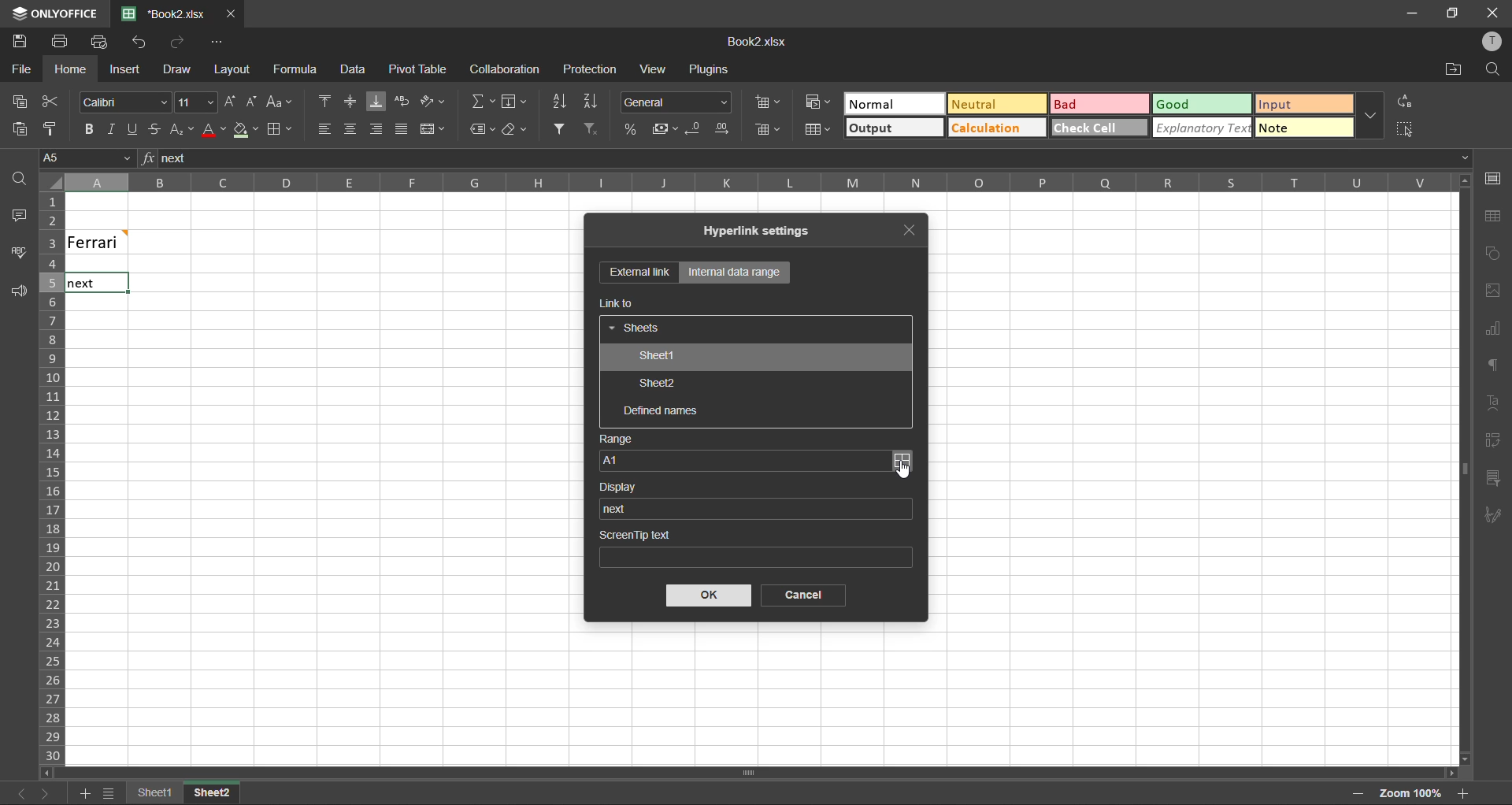 The image size is (1512, 805). What do you see at coordinates (215, 44) in the screenshot?
I see `customize quick access toolbar` at bounding box center [215, 44].